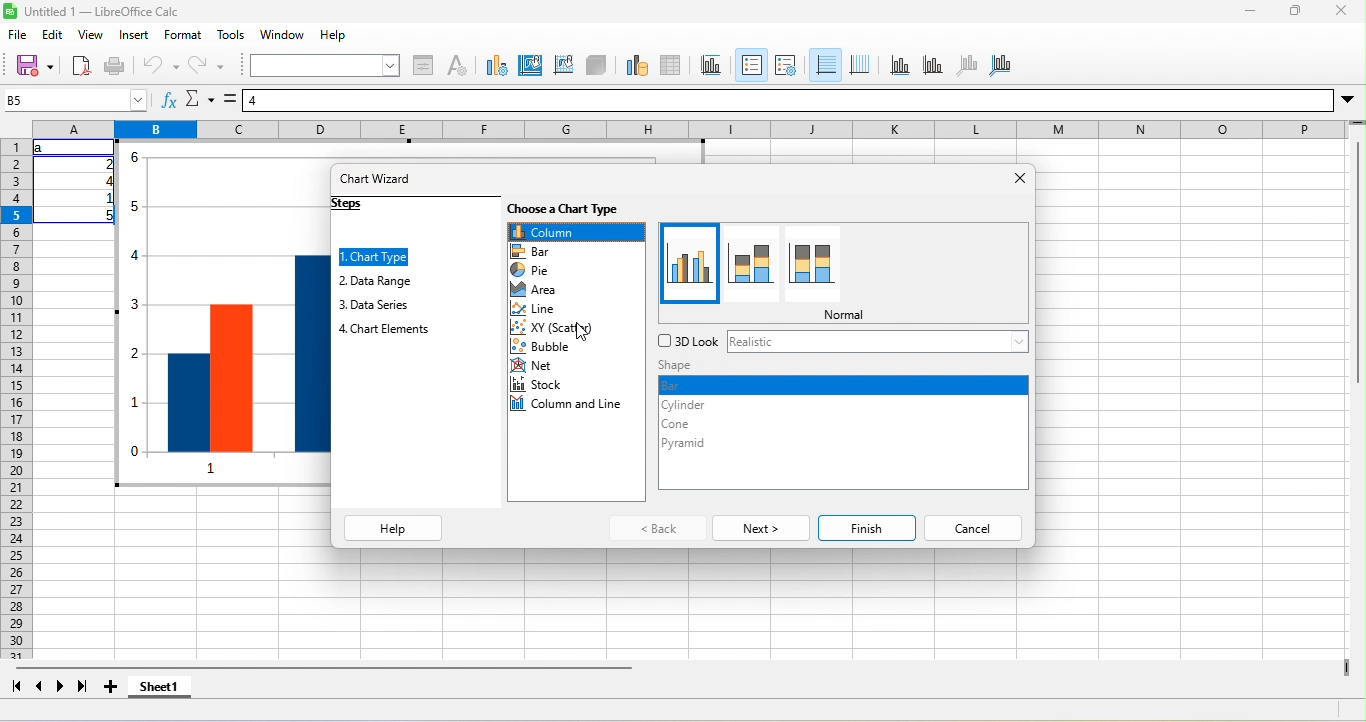  I want to click on add sheet, so click(111, 686).